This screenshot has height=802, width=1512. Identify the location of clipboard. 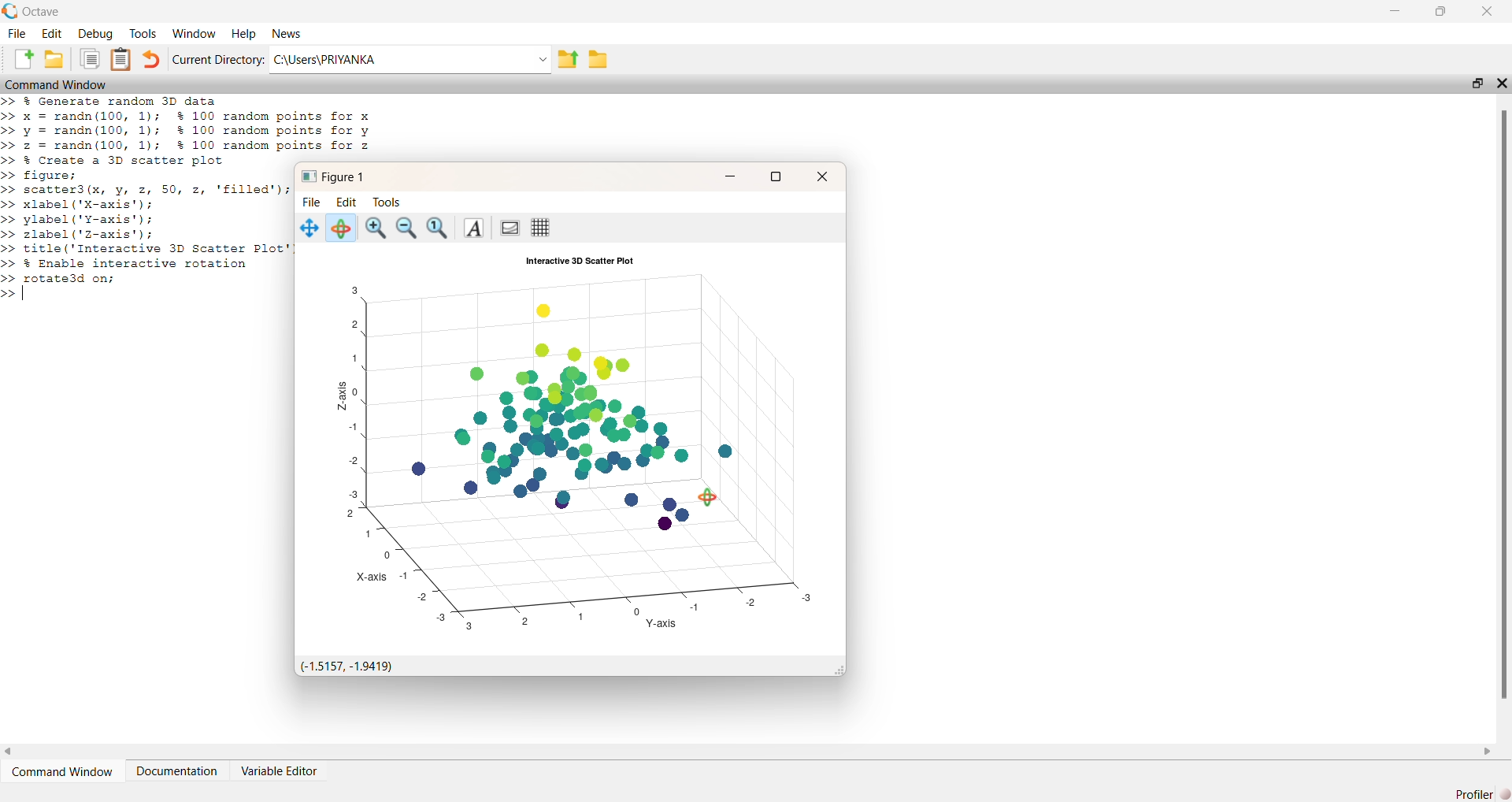
(90, 58).